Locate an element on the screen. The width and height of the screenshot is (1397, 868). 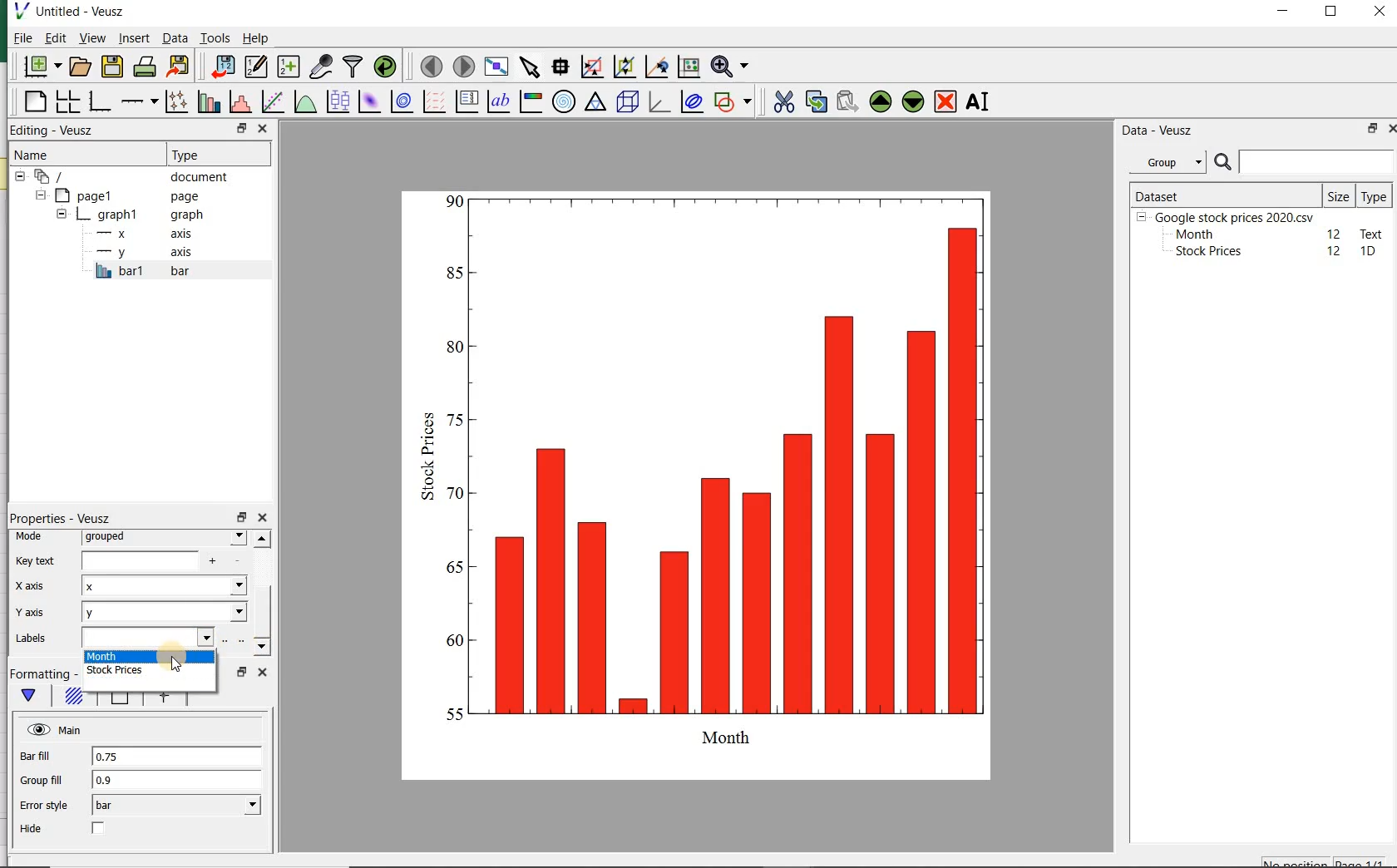
Untitled-Veusz is located at coordinates (77, 12).